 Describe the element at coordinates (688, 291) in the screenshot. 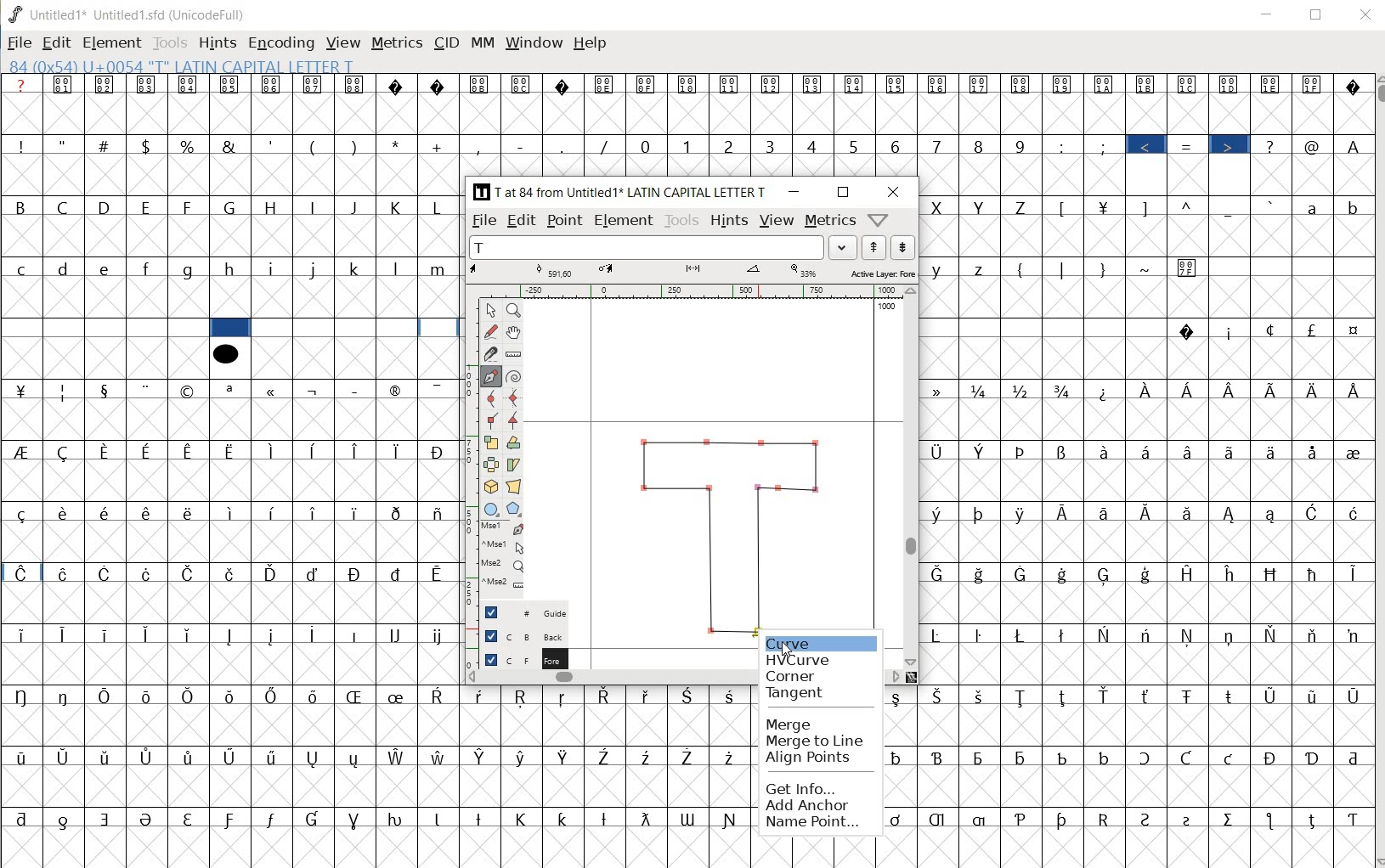

I see `ruler` at that location.